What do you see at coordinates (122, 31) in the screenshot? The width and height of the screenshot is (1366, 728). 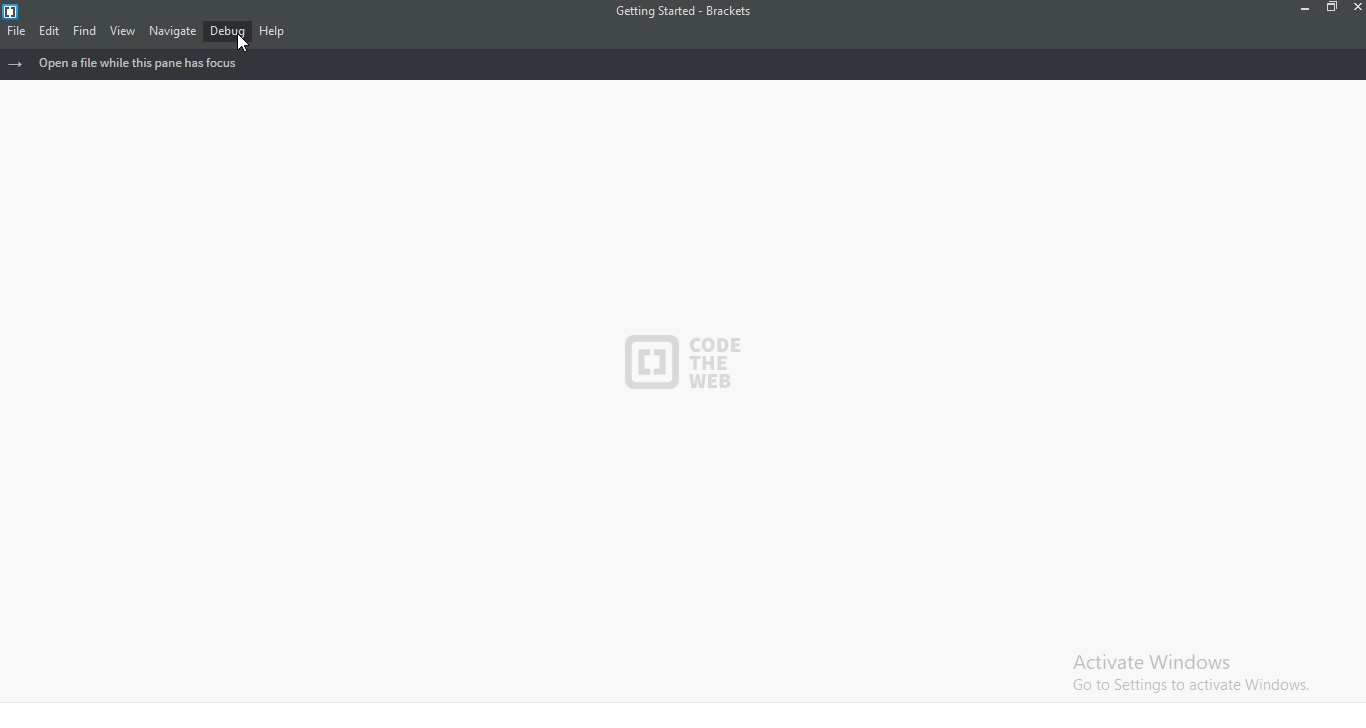 I see `view` at bounding box center [122, 31].